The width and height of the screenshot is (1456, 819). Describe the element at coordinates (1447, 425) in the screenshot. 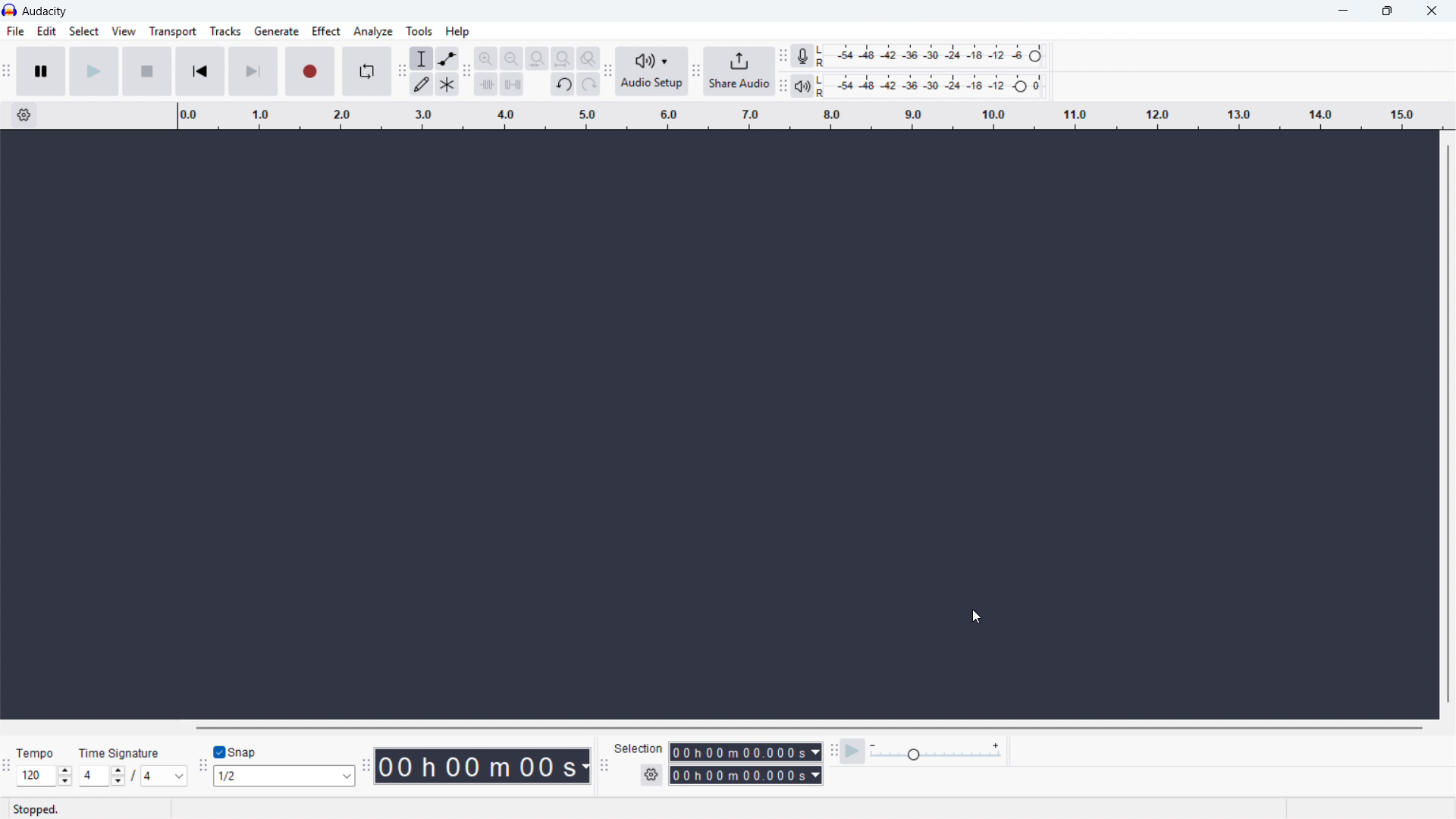

I see `vertical scrollbar` at that location.